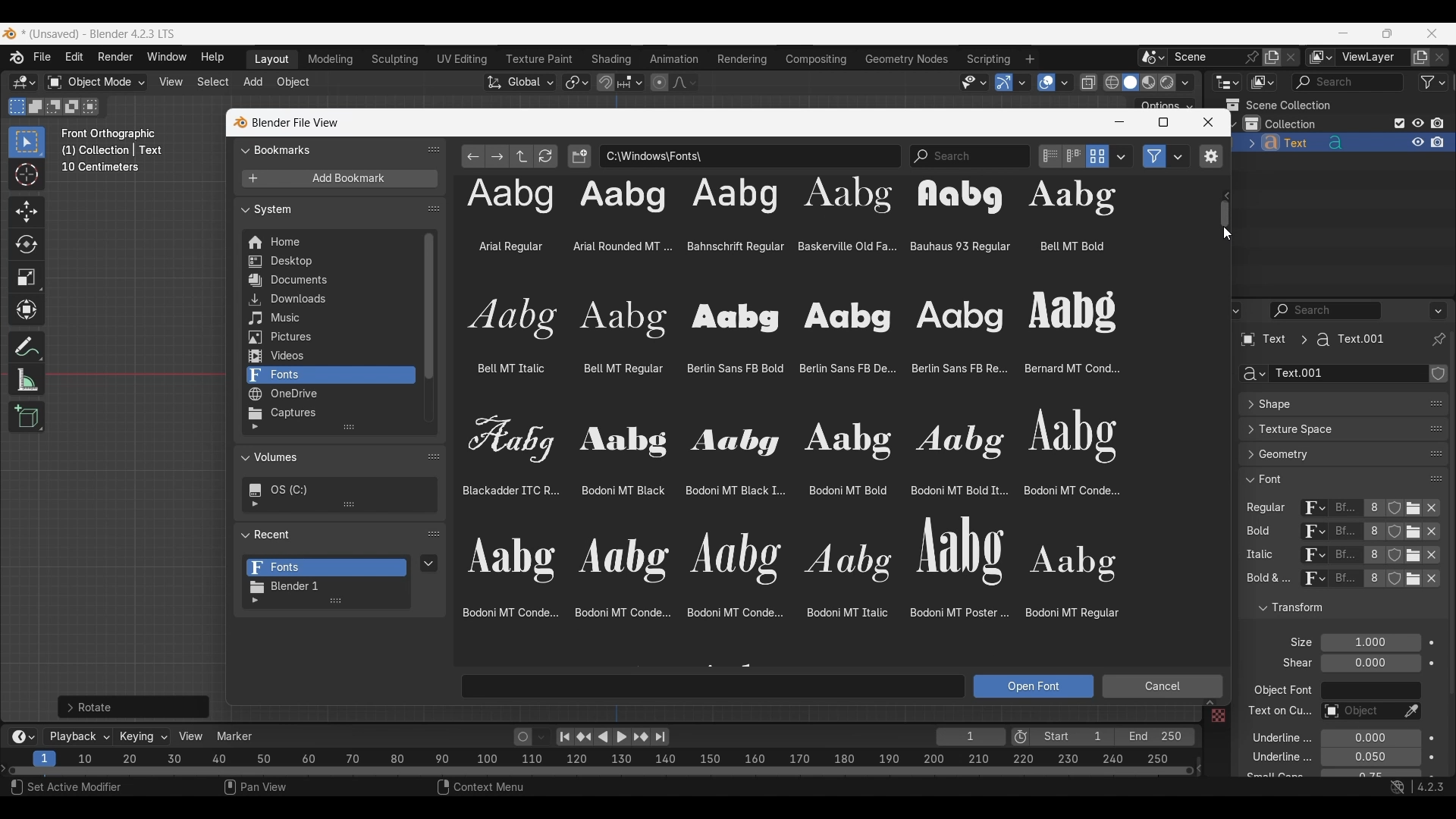 This screenshot has height=819, width=1456. What do you see at coordinates (659, 82) in the screenshot?
I see `Proportional editing objects` at bounding box center [659, 82].